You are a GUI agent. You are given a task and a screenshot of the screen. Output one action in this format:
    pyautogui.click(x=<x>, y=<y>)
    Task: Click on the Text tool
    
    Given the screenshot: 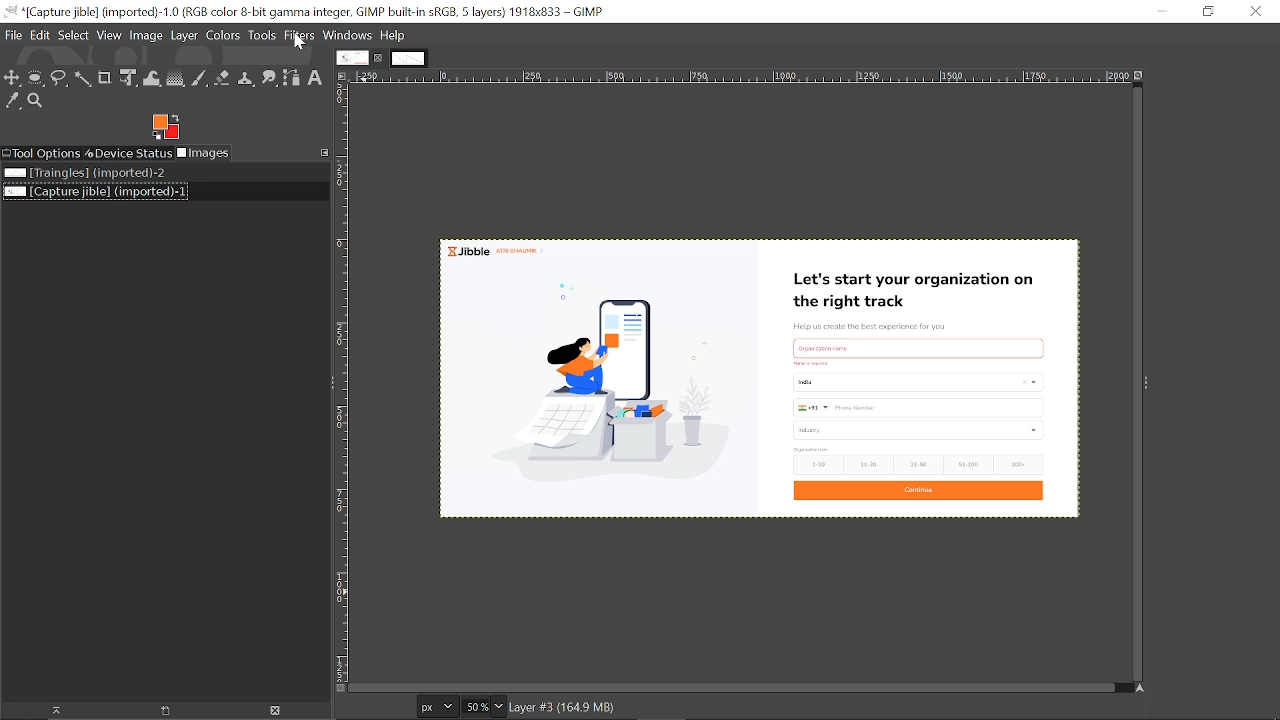 What is the action you would take?
    pyautogui.click(x=315, y=78)
    